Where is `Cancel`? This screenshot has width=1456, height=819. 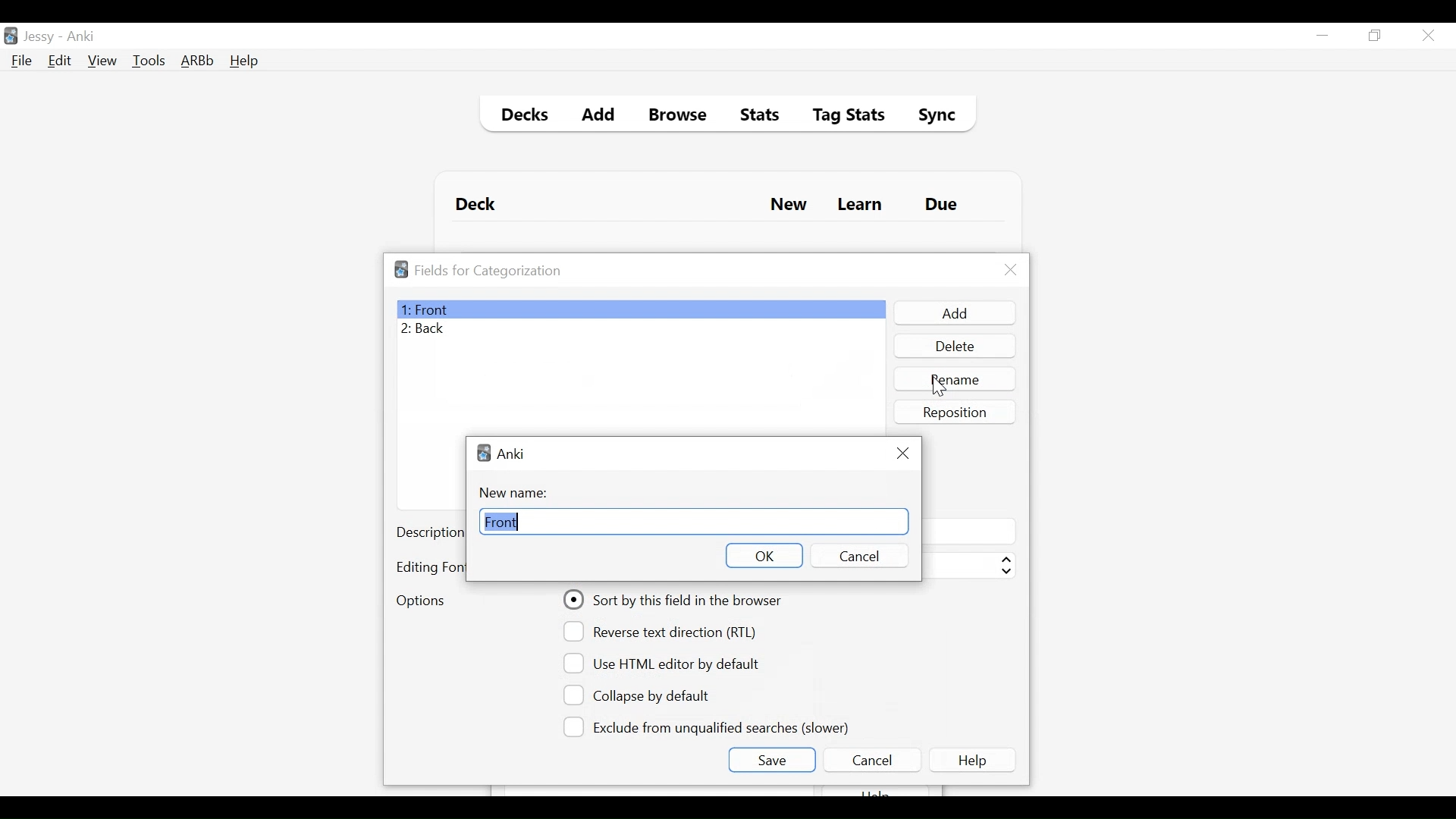 Cancel is located at coordinates (857, 556).